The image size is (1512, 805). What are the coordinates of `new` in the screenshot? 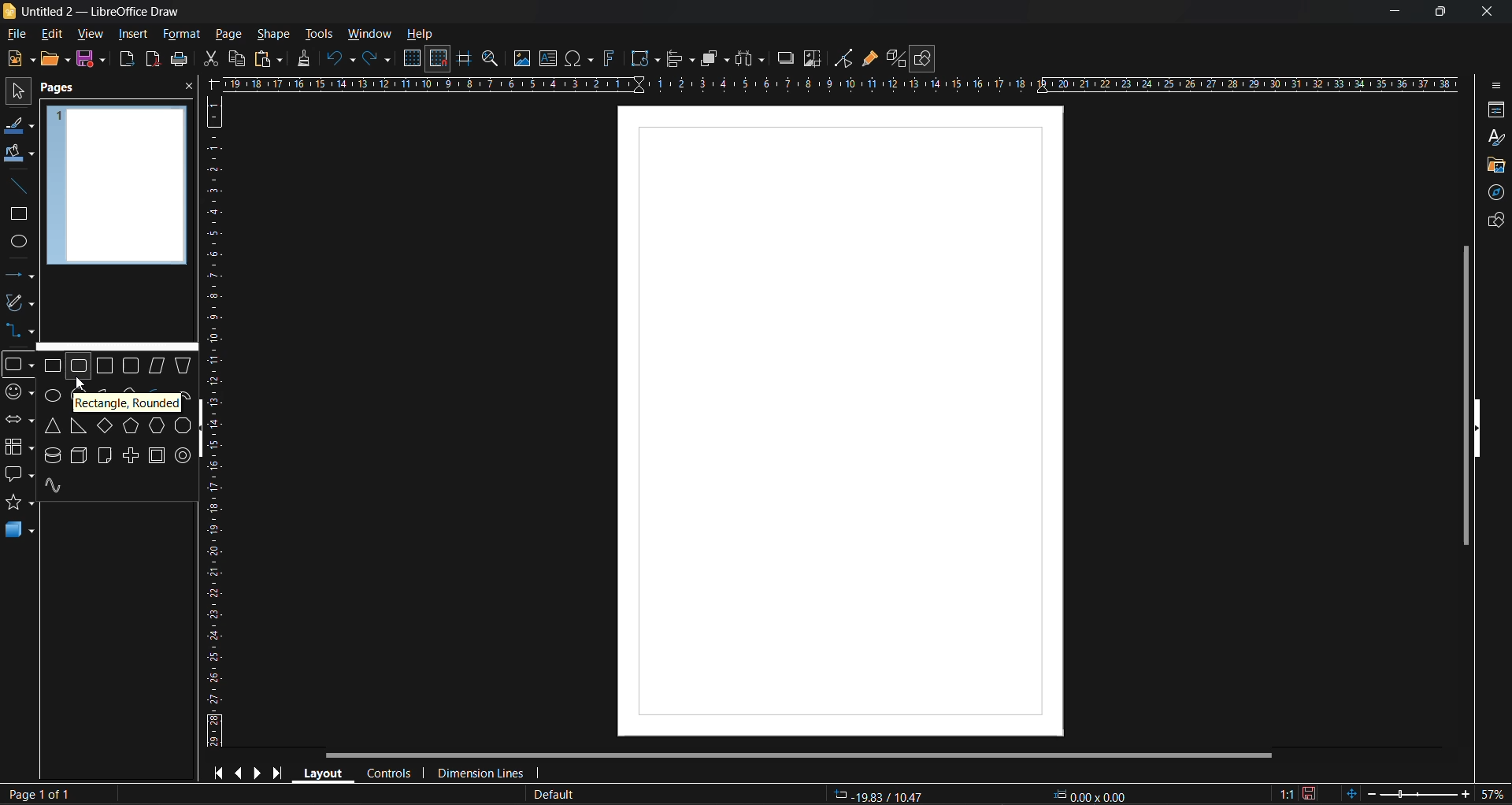 It's located at (20, 58).